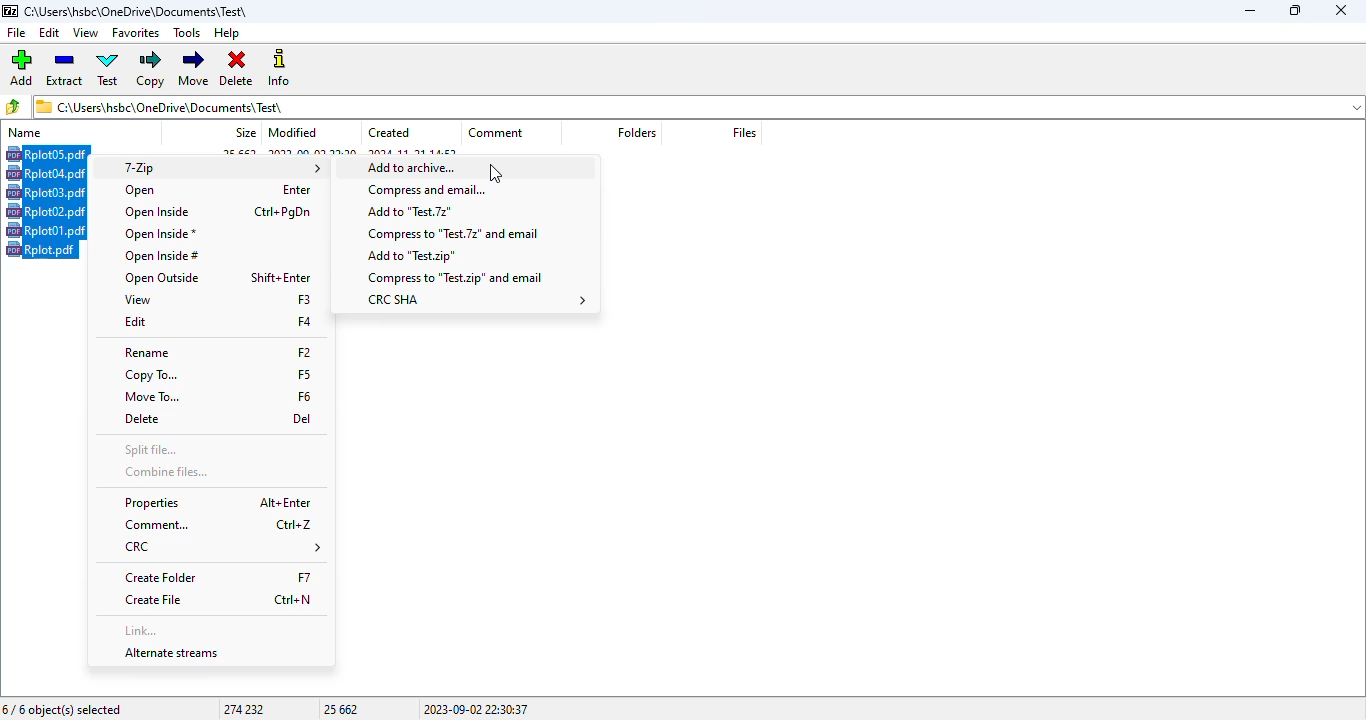  What do you see at coordinates (221, 547) in the screenshot?
I see `CRC` at bounding box center [221, 547].